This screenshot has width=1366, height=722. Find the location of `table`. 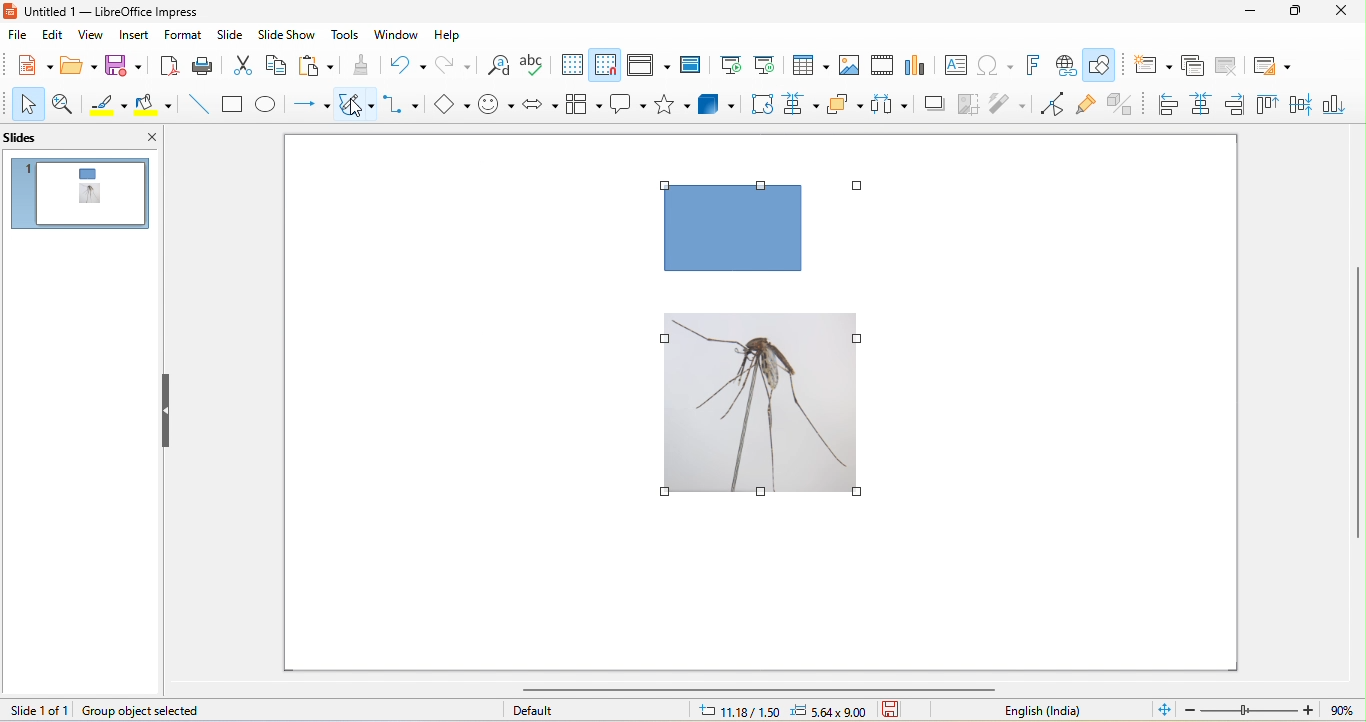

table is located at coordinates (811, 64).